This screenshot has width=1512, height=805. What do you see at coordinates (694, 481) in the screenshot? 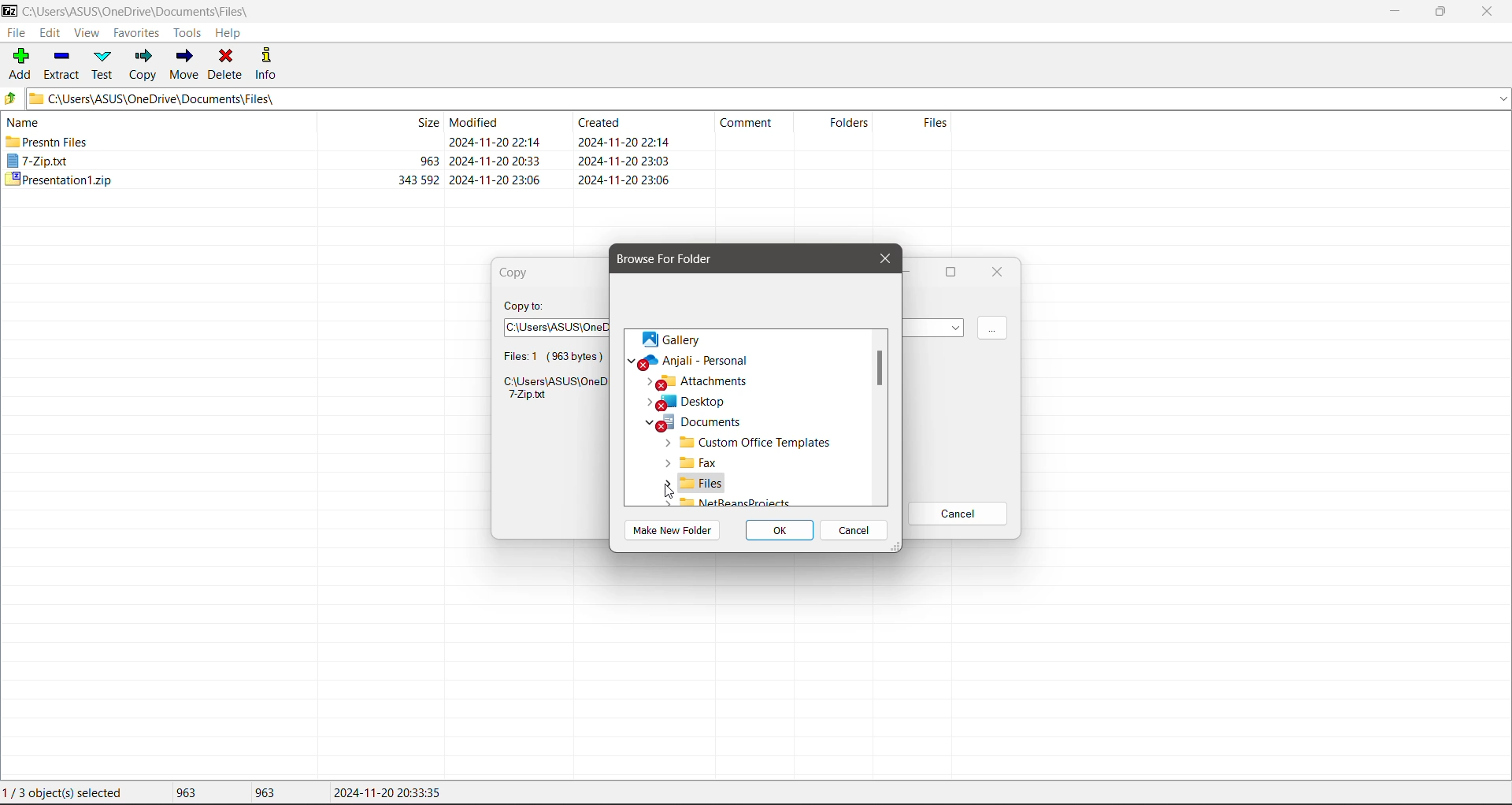
I see `Files` at bounding box center [694, 481].